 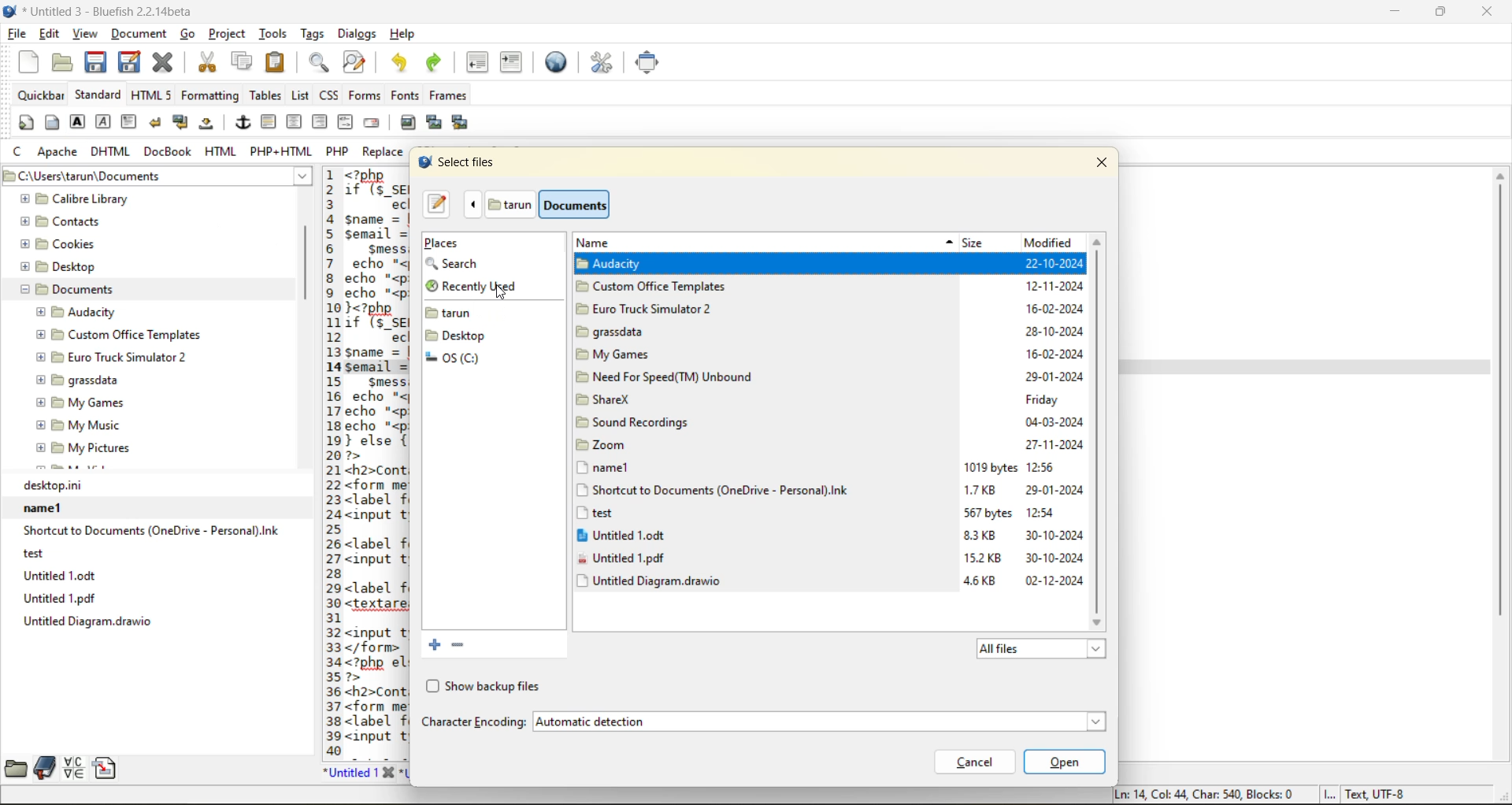 I want to click on untitle diagram.drawio, so click(x=156, y=621).